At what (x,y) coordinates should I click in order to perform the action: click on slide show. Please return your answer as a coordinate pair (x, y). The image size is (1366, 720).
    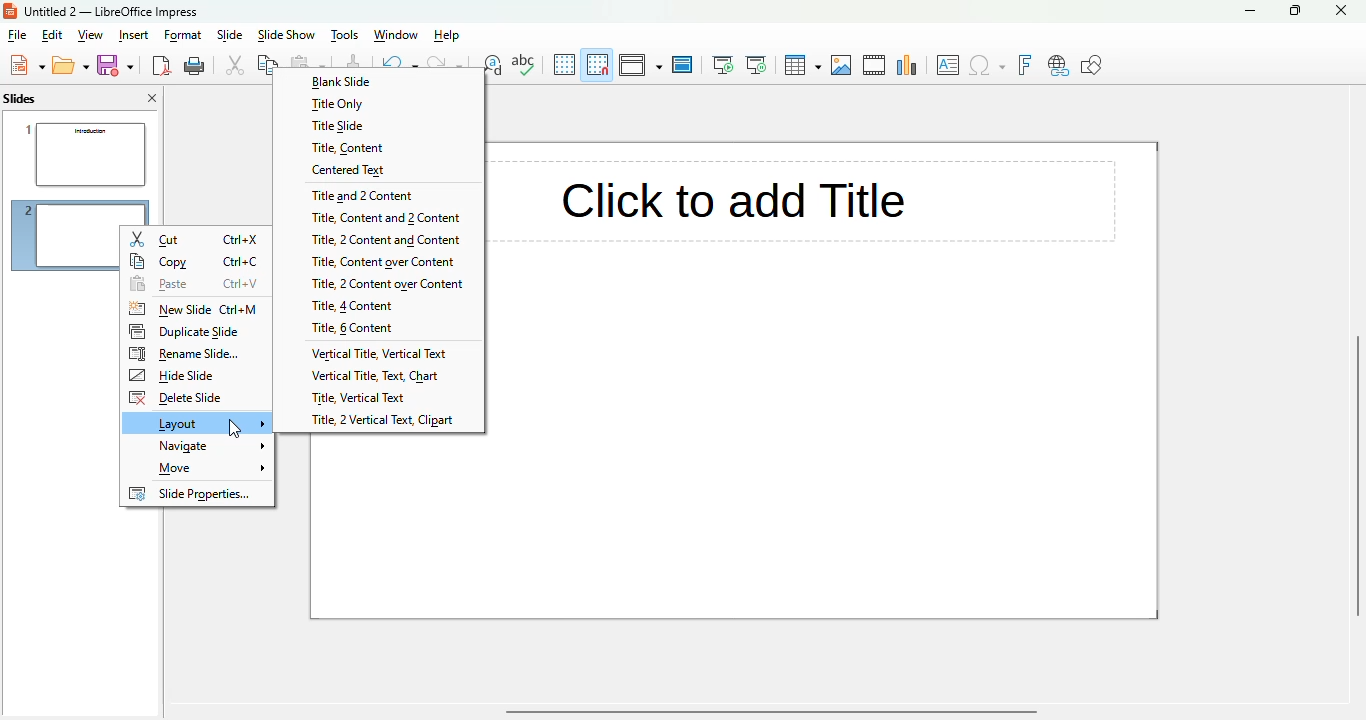
    Looking at the image, I should click on (286, 35).